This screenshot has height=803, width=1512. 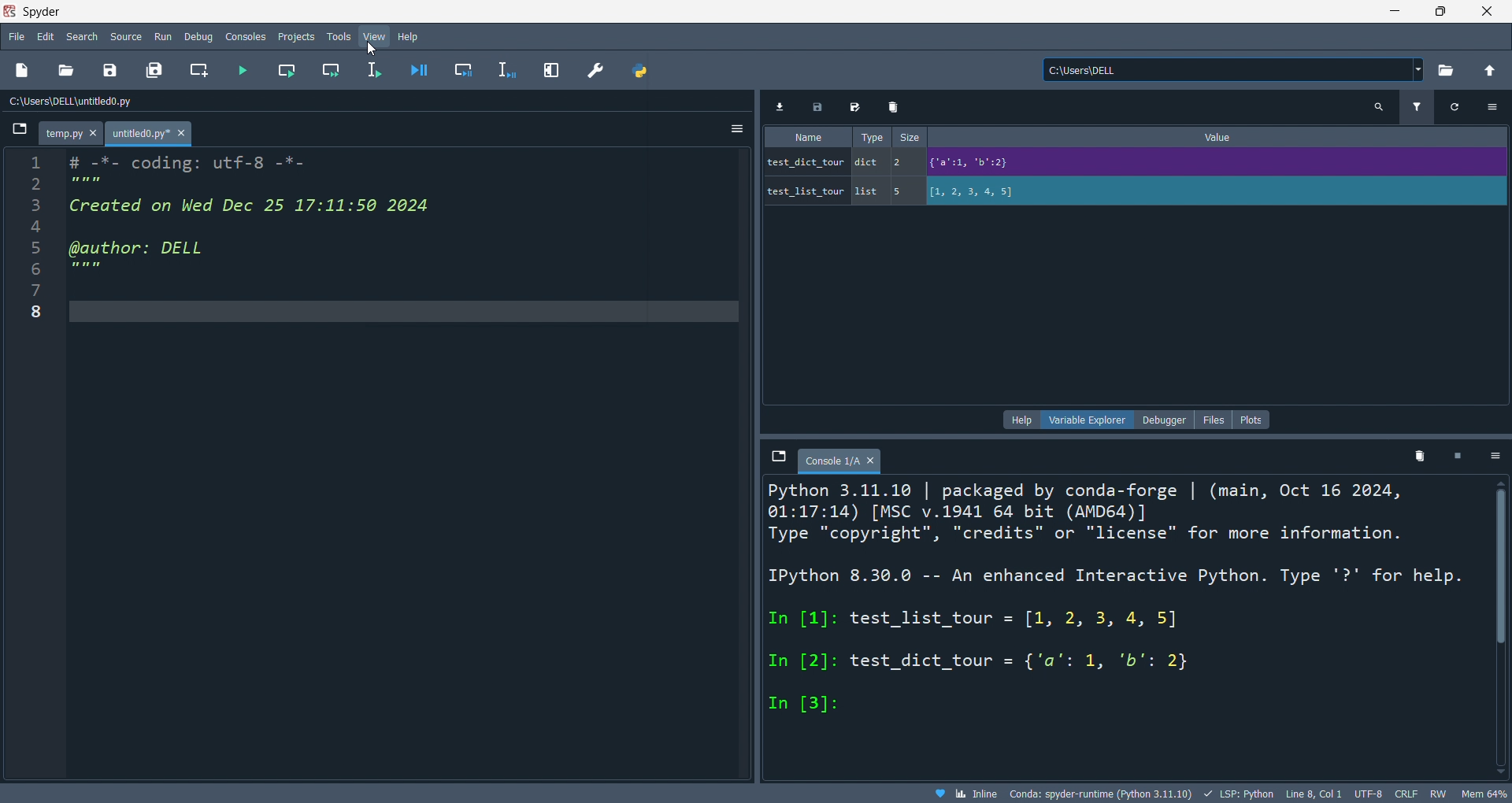 I want to click on debug file, so click(x=416, y=71).